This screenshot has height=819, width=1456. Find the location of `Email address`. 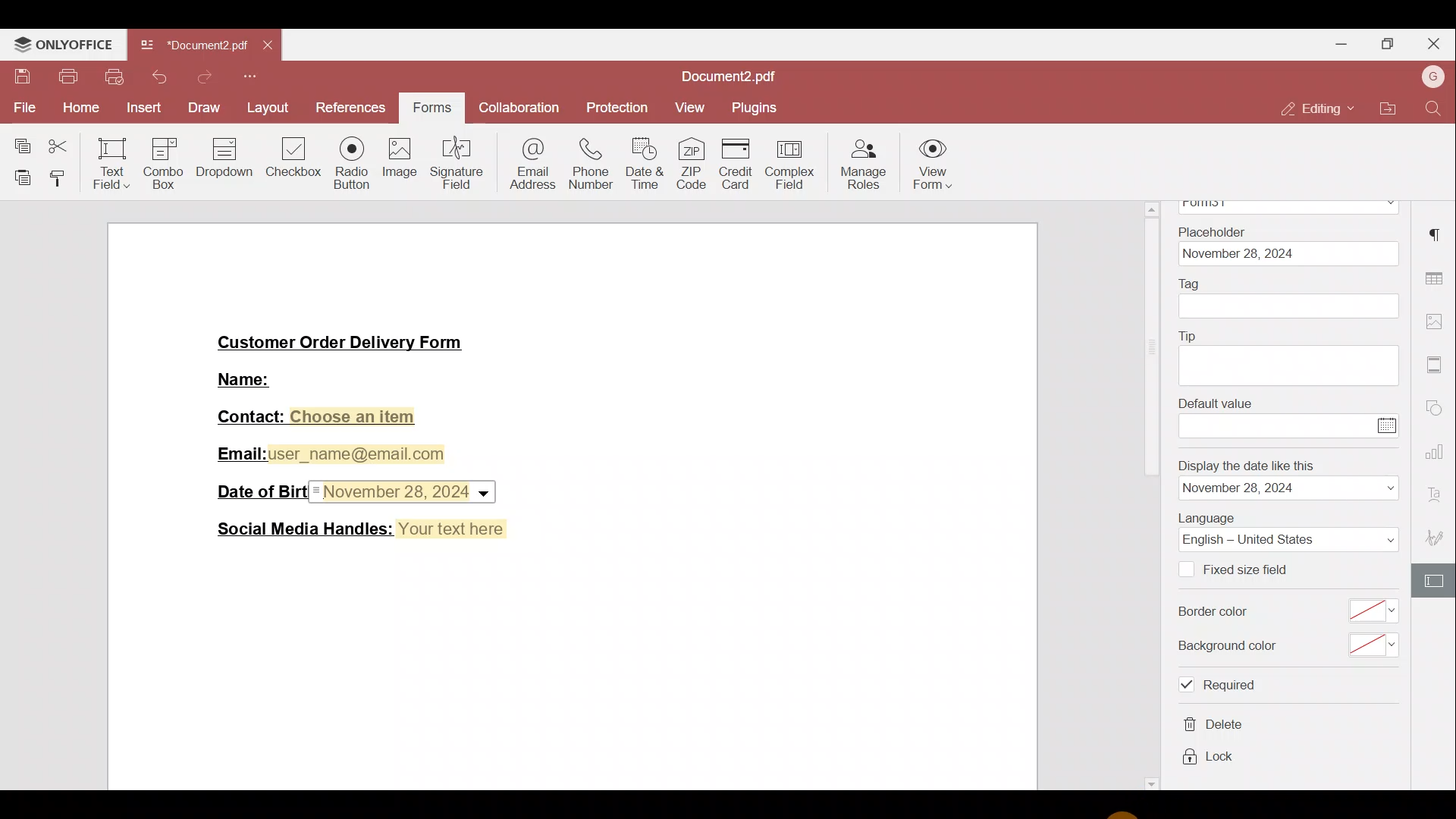

Email address is located at coordinates (531, 162).